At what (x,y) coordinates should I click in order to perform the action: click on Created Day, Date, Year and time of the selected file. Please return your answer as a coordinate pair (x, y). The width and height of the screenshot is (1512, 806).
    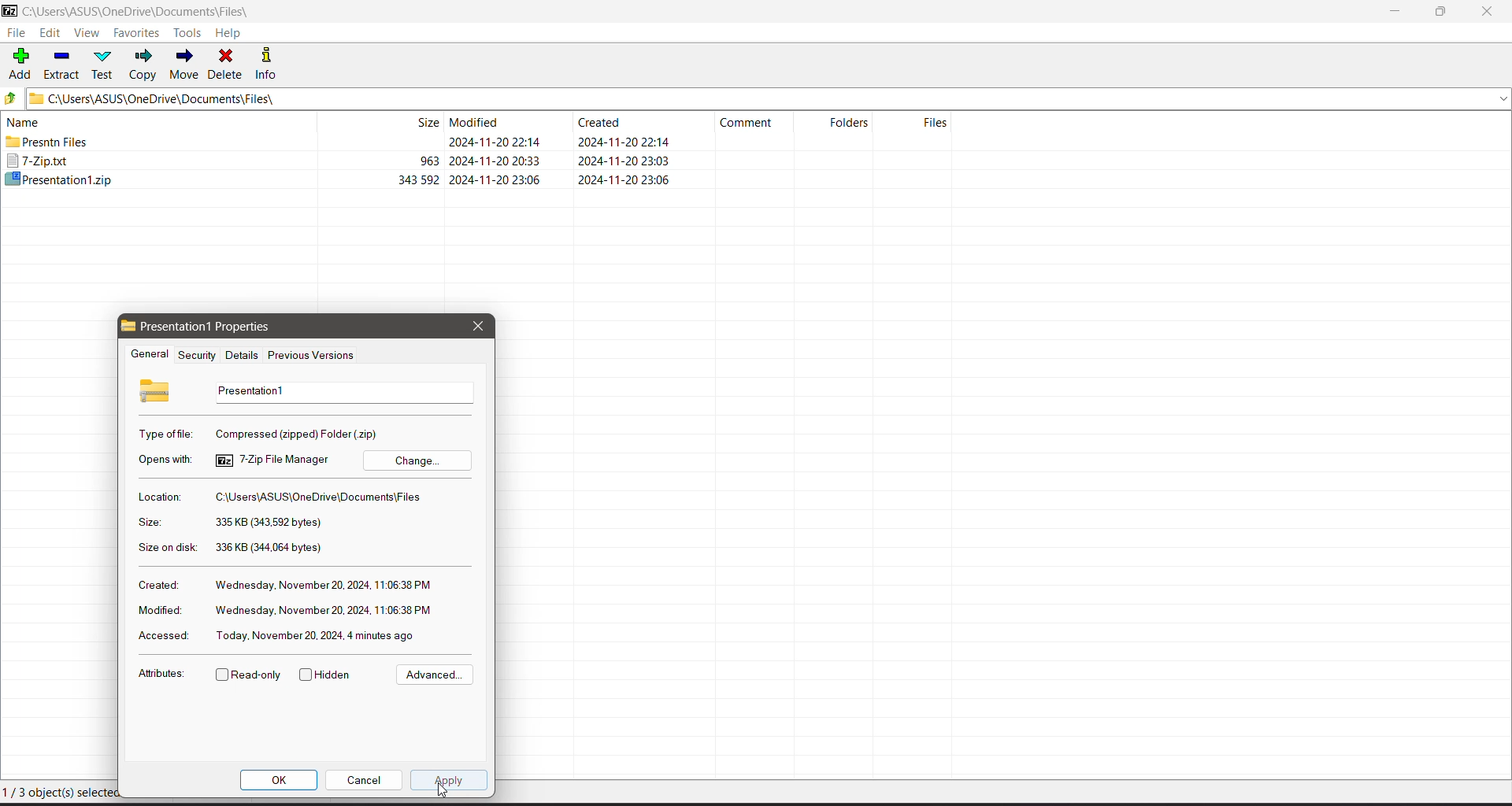
    Looking at the image, I should click on (324, 586).